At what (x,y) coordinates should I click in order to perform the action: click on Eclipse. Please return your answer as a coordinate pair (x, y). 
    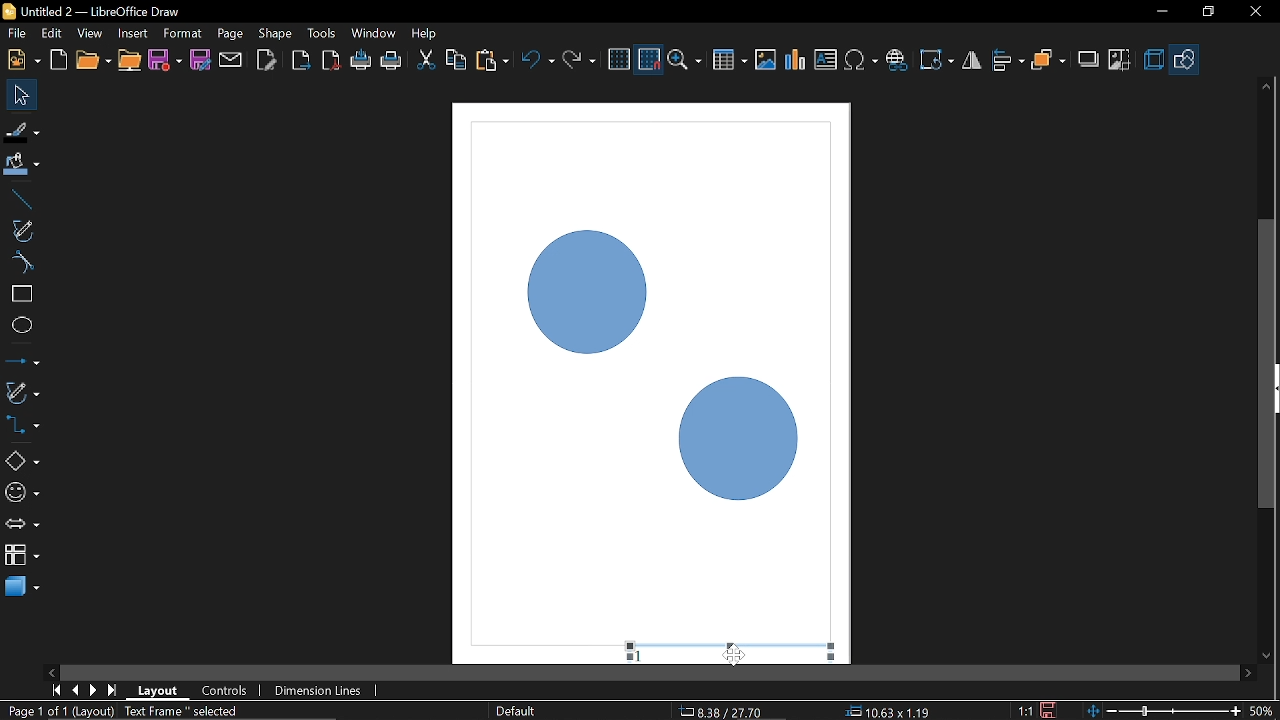
    Looking at the image, I should click on (22, 326).